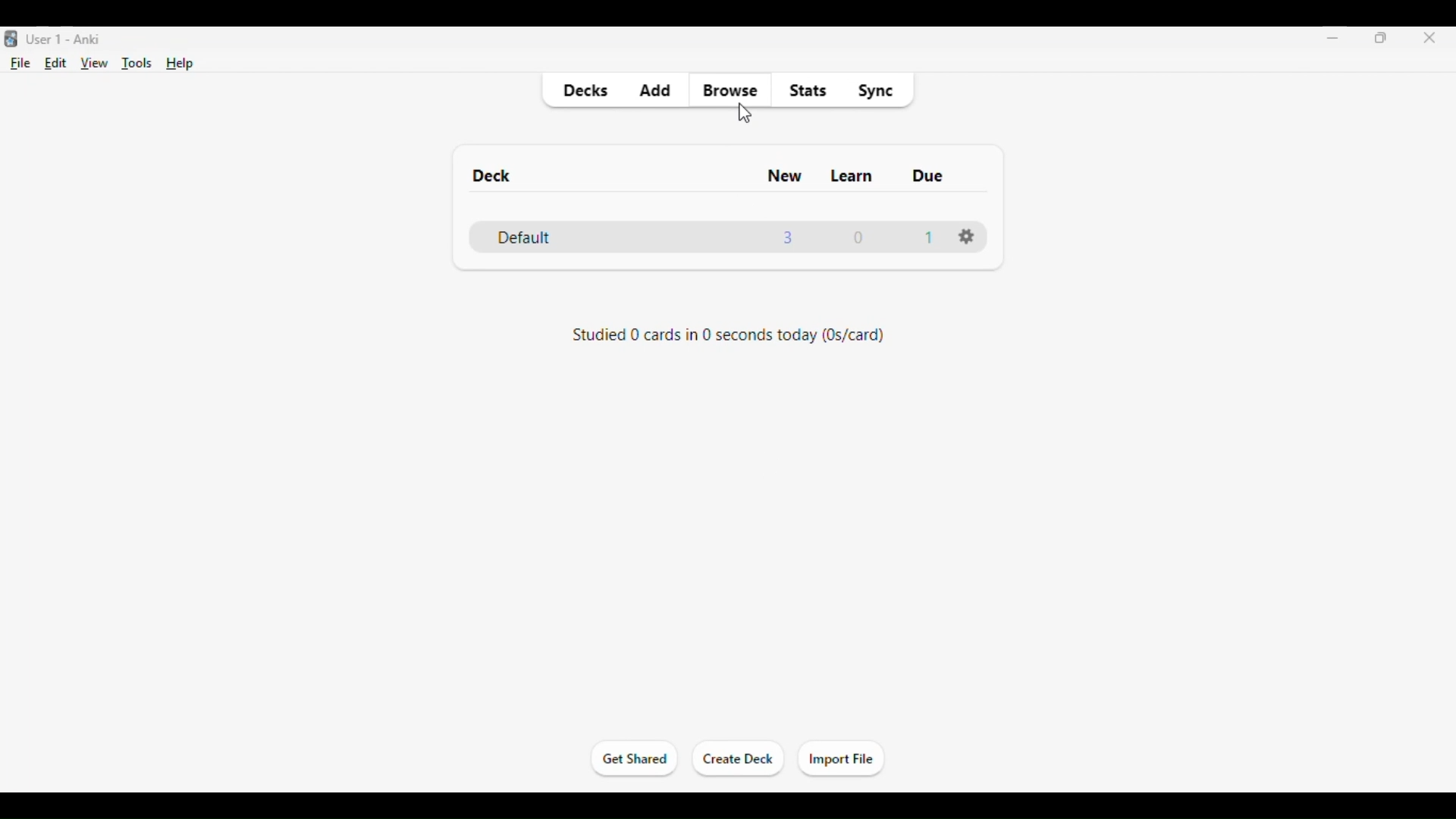 This screenshot has width=1456, height=819. I want to click on import file, so click(840, 760).